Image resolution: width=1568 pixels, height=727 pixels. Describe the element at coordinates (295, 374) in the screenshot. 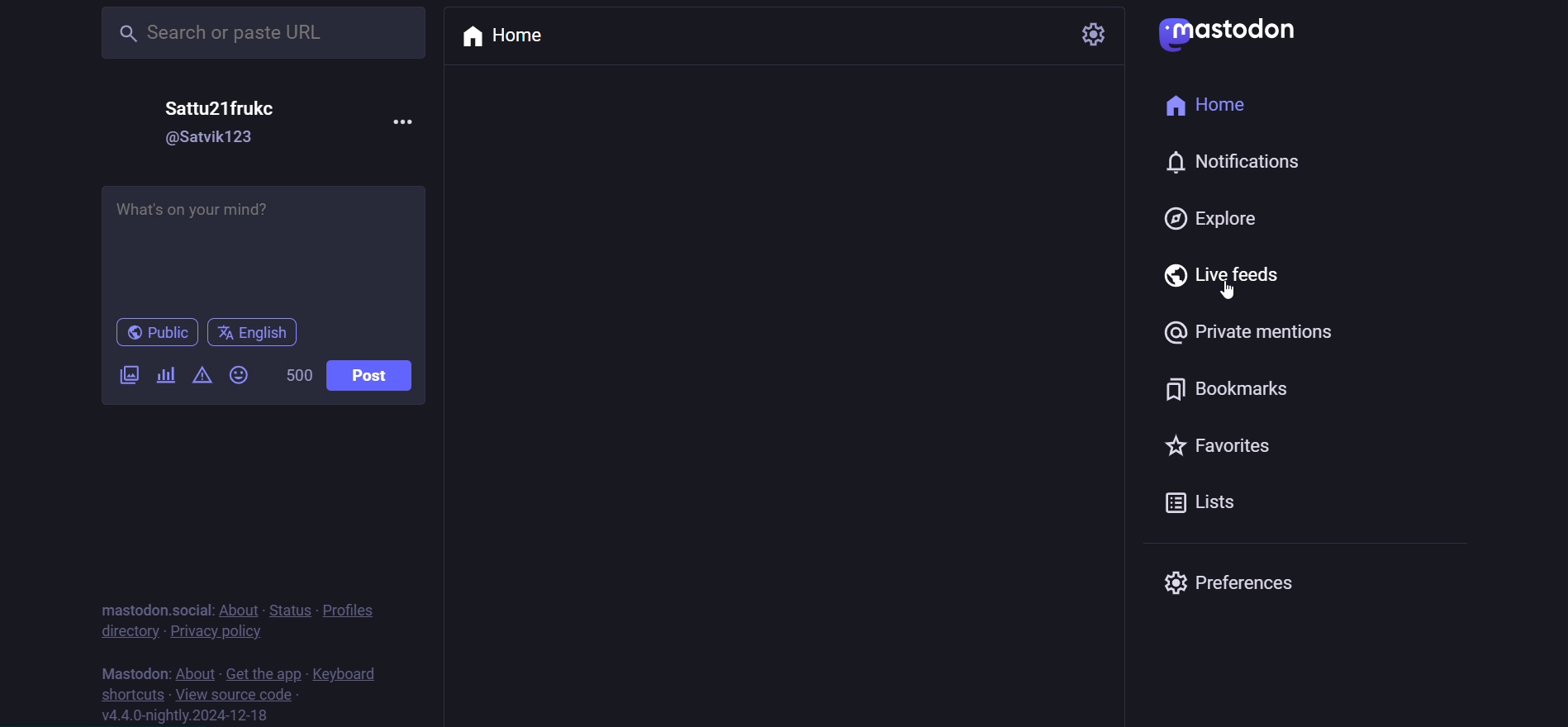

I see `500` at that location.